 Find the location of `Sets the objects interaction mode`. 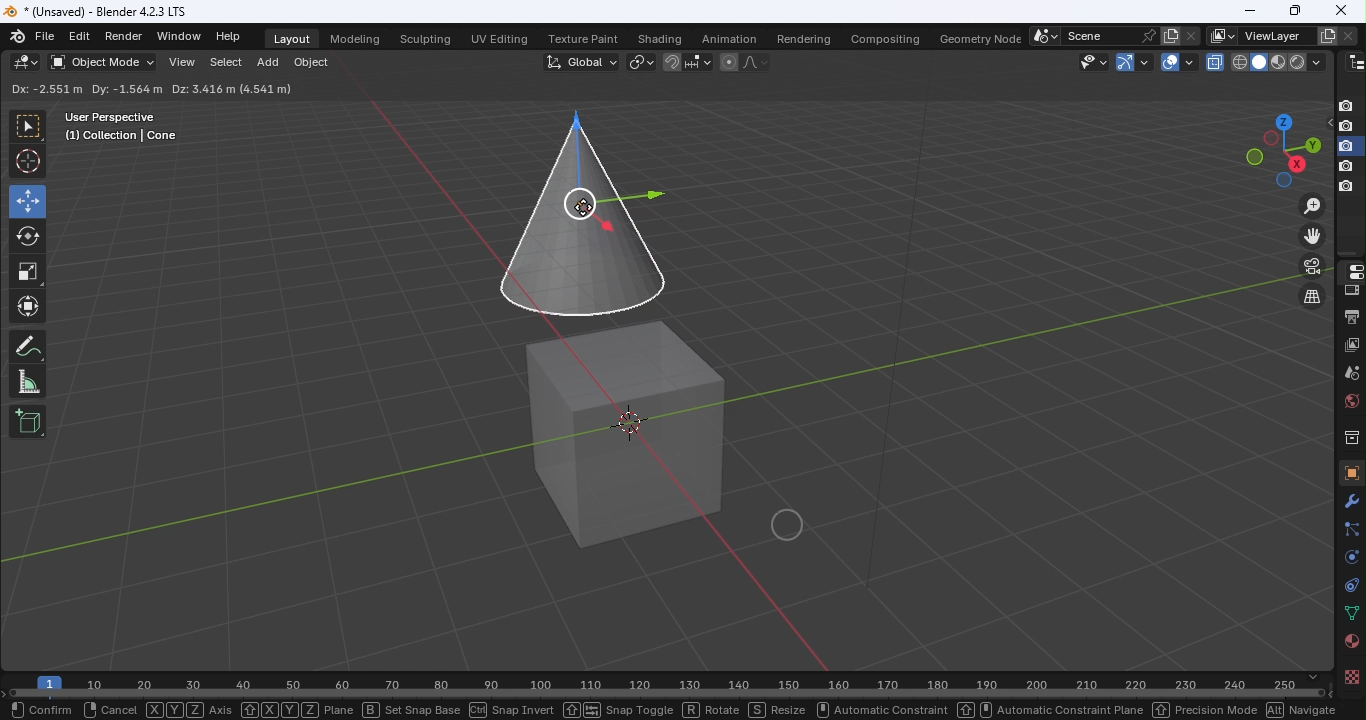

Sets the objects interaction mode is located at coordinates (101, 63).